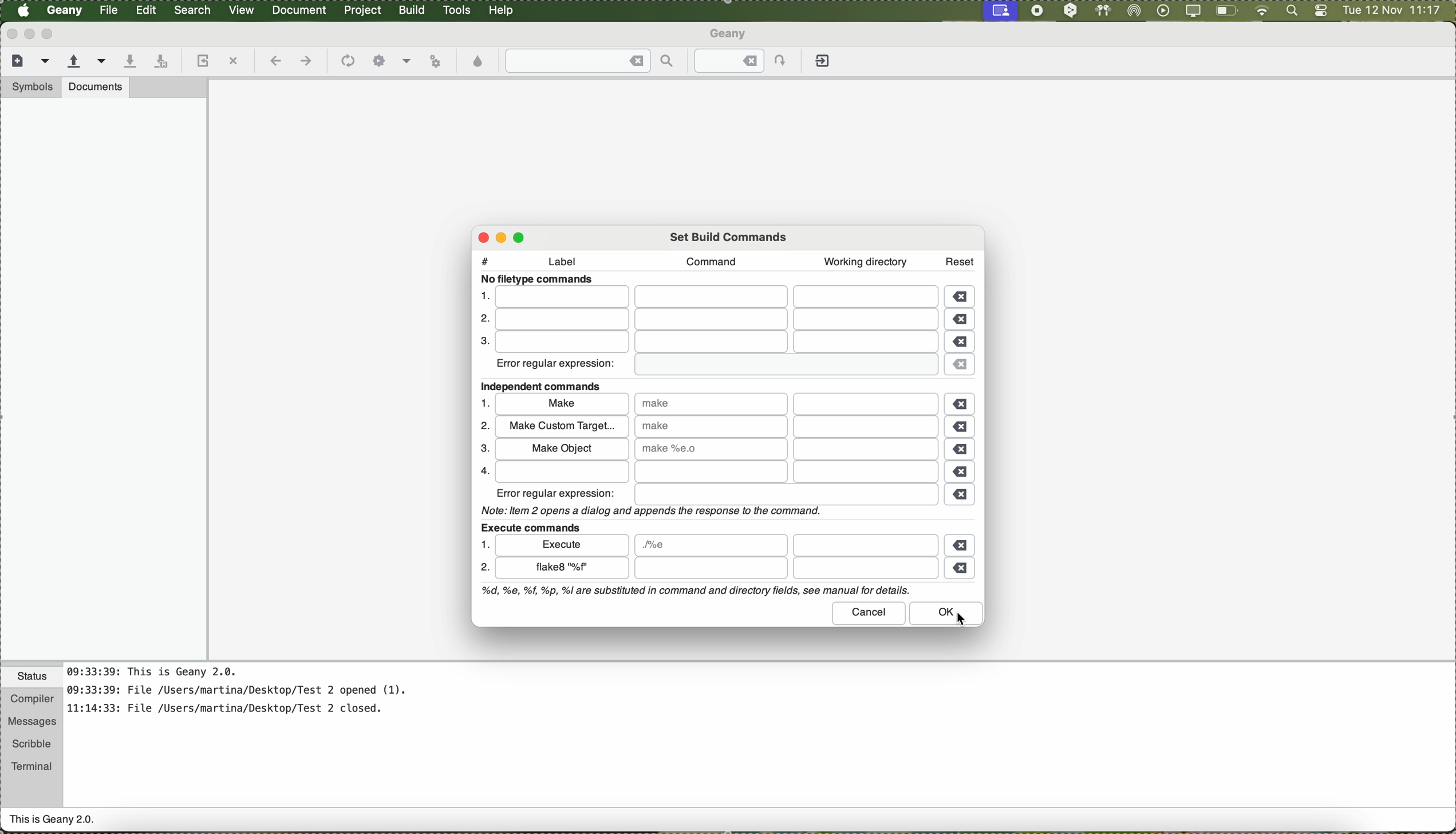  I want to click on close the current file, so click(233, 62).